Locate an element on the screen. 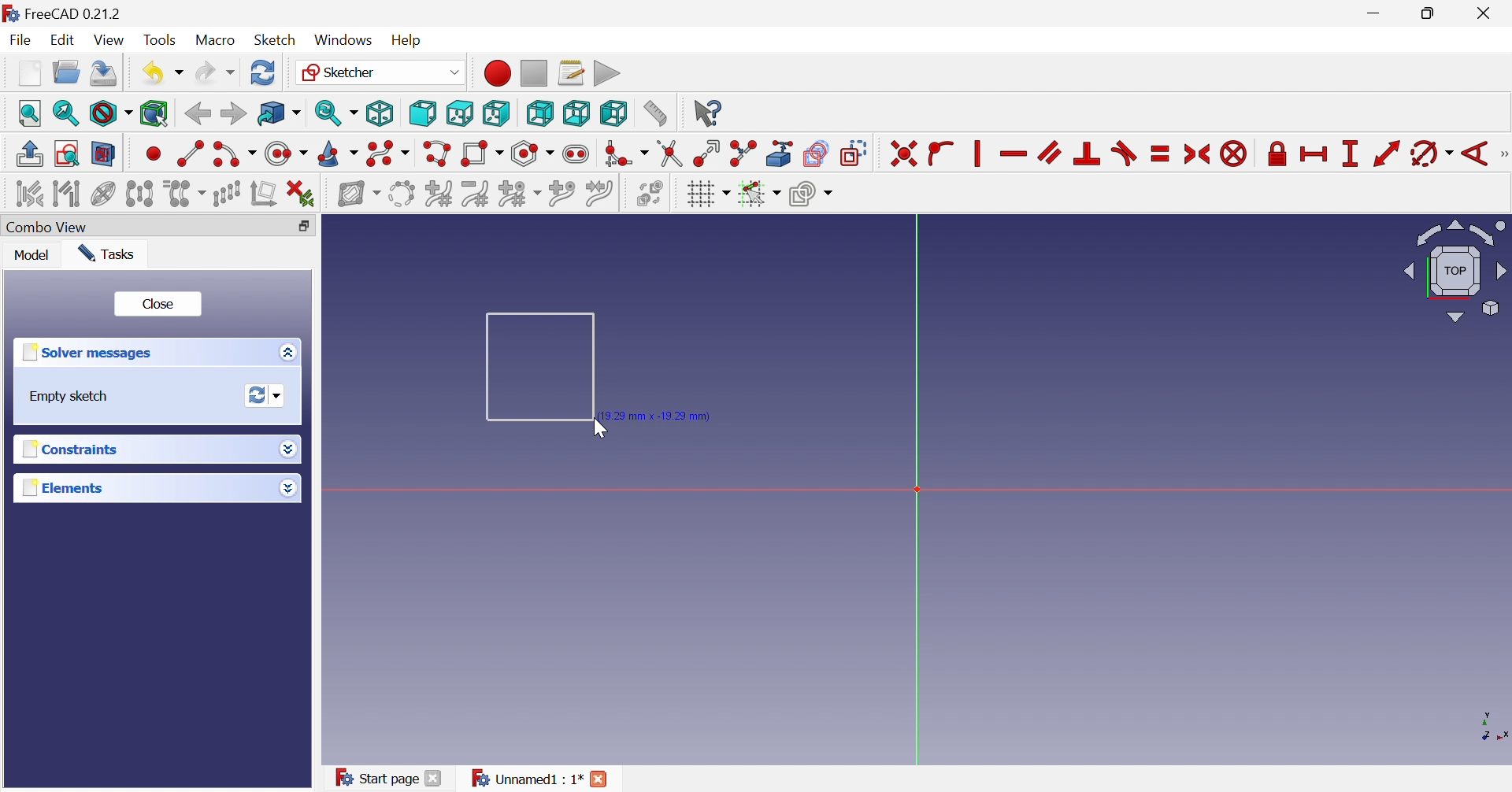  Increase B-spline degree is located at coordinates (438, 193).